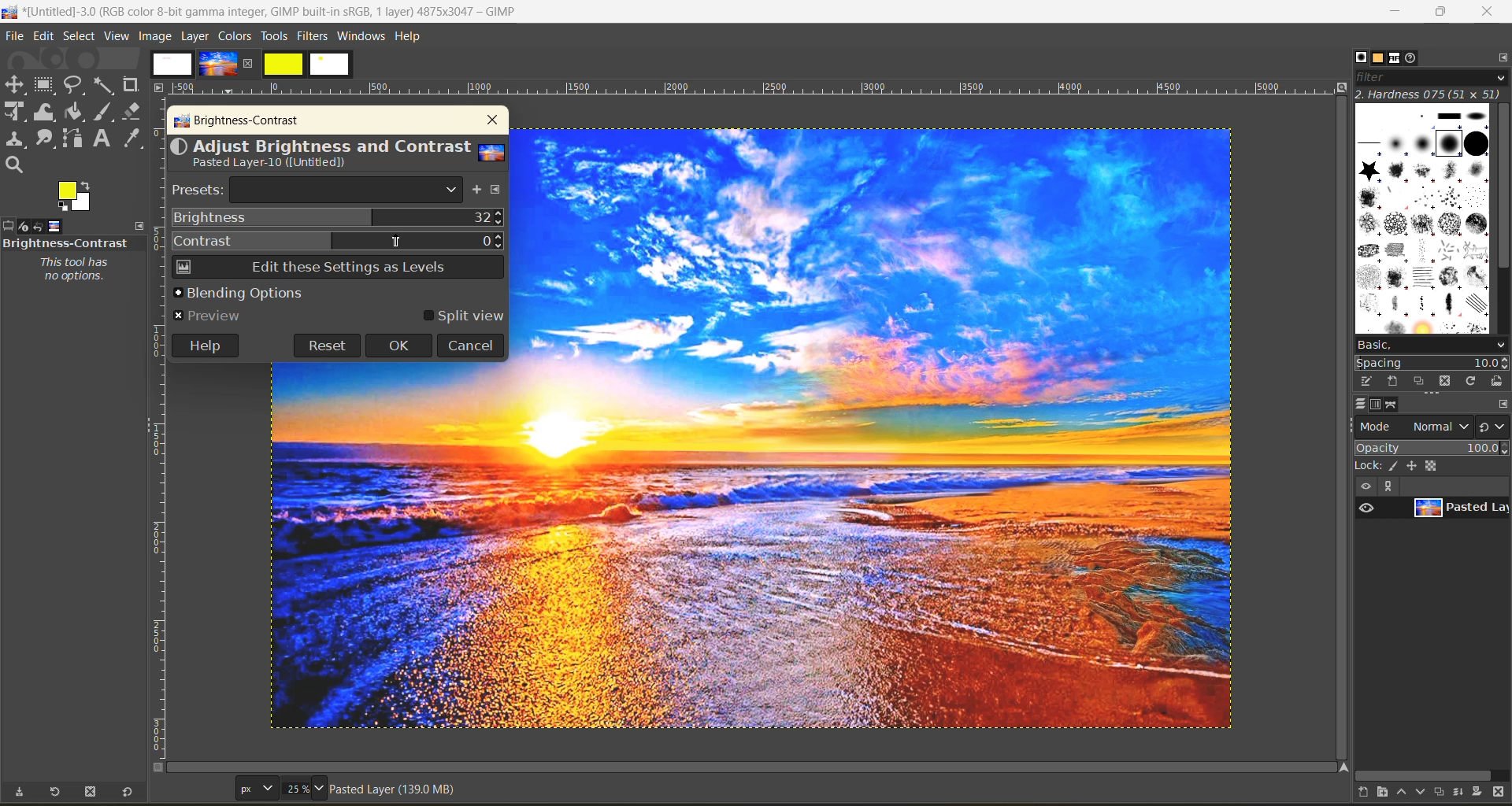  Describe the element at coordinates (9, 226) in the screenshot. I see `tool options` at that location.